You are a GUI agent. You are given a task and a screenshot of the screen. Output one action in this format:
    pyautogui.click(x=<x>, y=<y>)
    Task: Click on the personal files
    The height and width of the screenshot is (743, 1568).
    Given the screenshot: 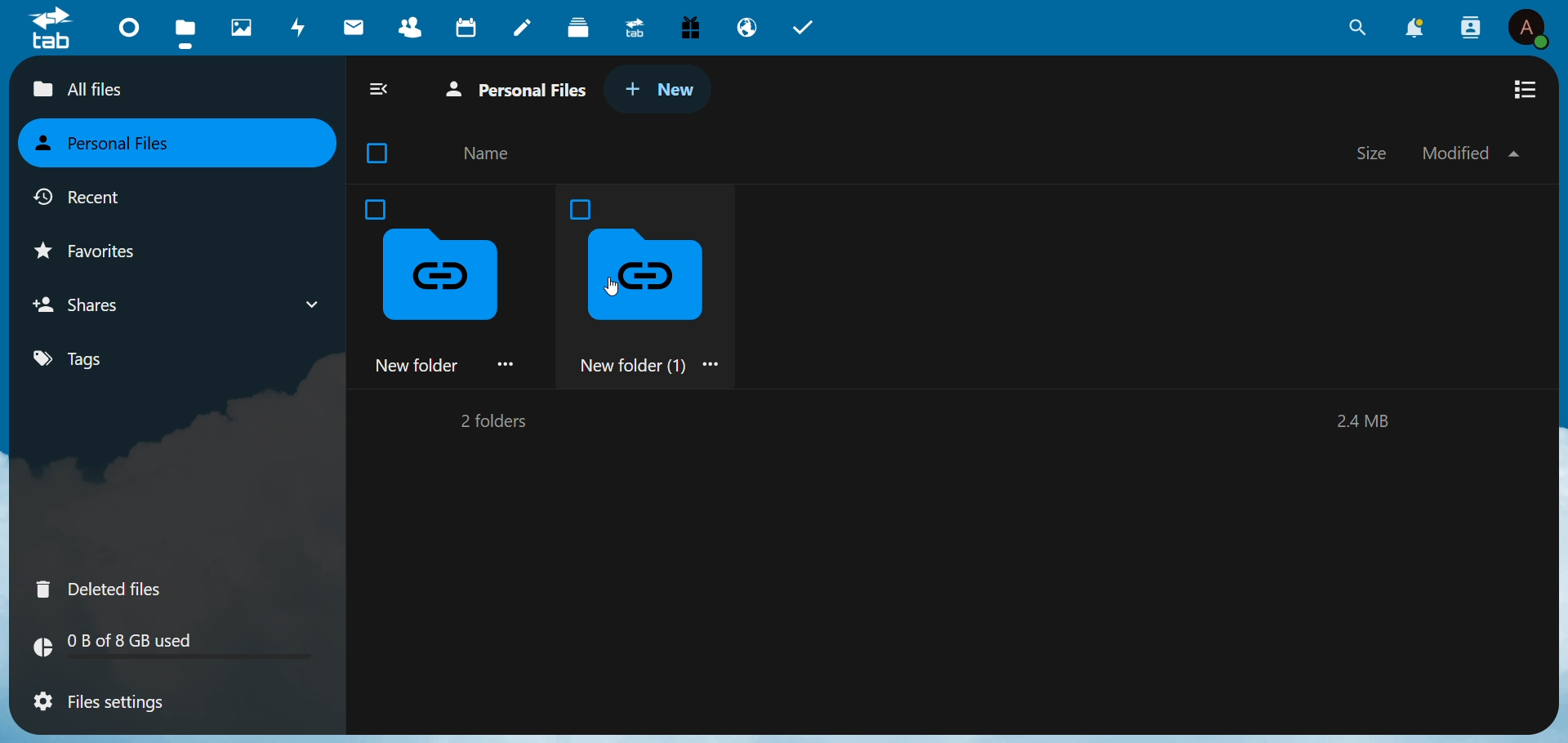 What is the action you would take?
    pyautogui.click(x=114, y=144)
    